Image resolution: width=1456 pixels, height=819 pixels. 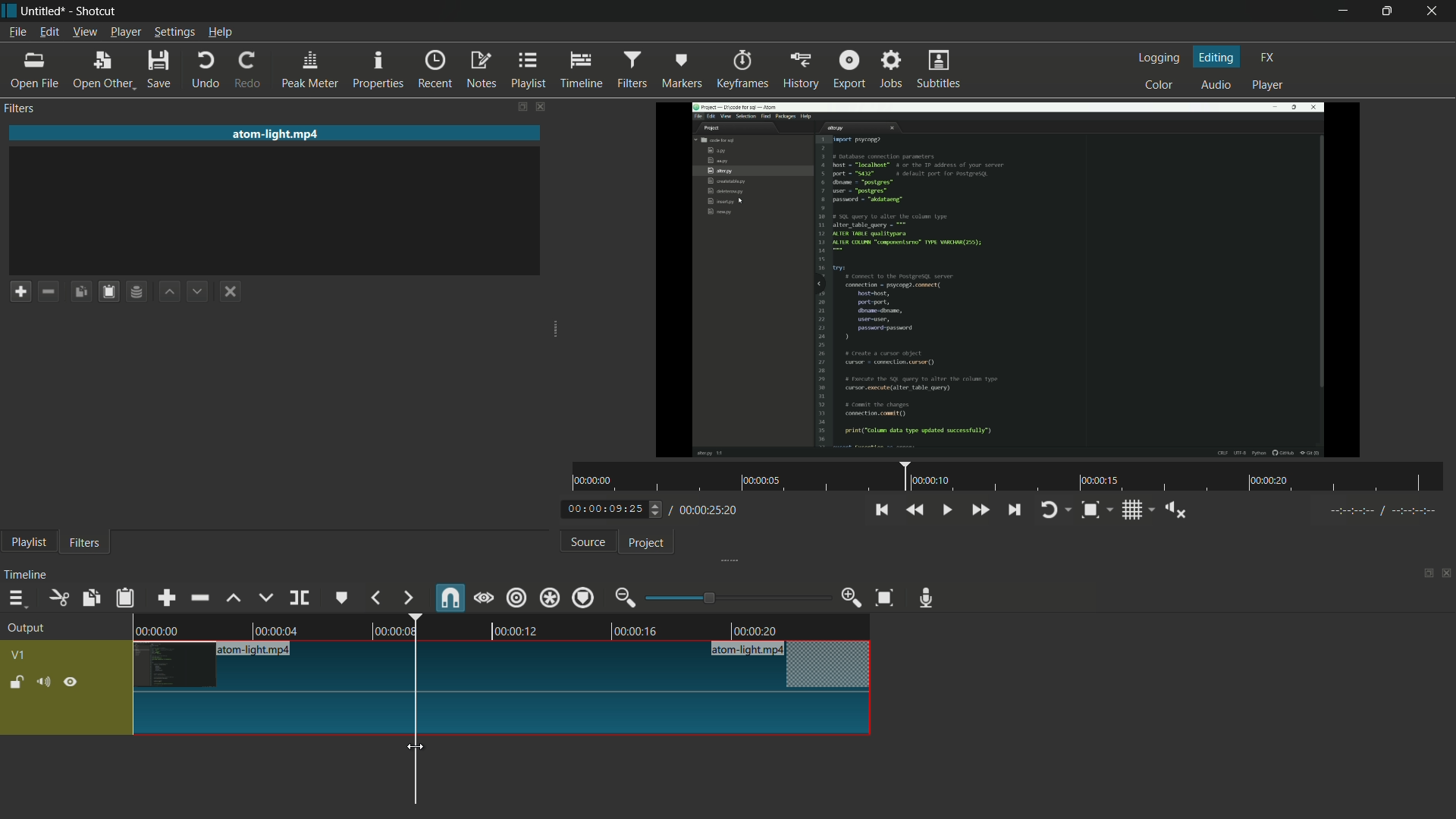 What do you see at coordinates (504, 715) in the screenshot?
I see `video track v1` at bounding box center [504, 715].